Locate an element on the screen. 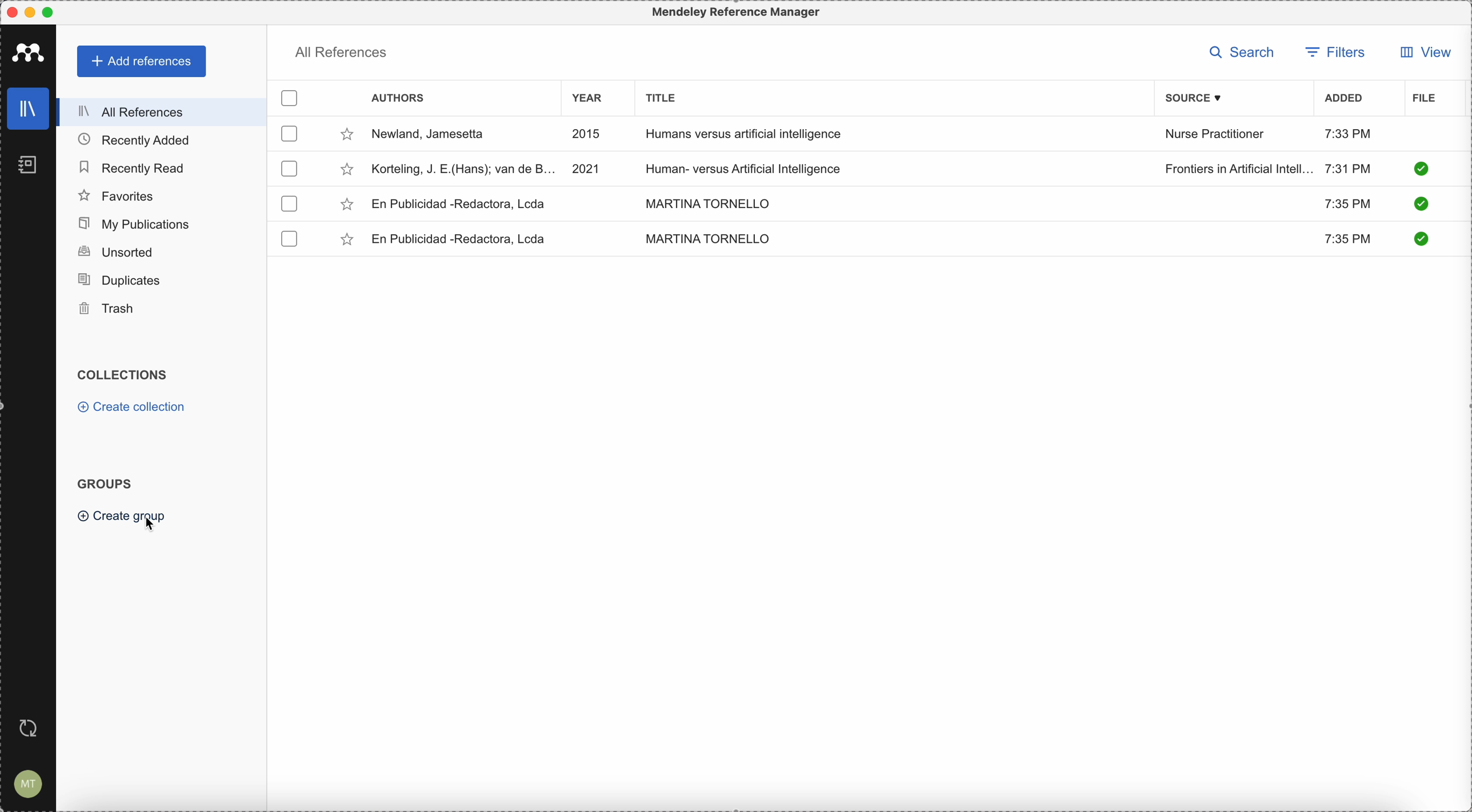 The image size is (1472, 812). 7:33 PM is located at coordinates (1348, 133).